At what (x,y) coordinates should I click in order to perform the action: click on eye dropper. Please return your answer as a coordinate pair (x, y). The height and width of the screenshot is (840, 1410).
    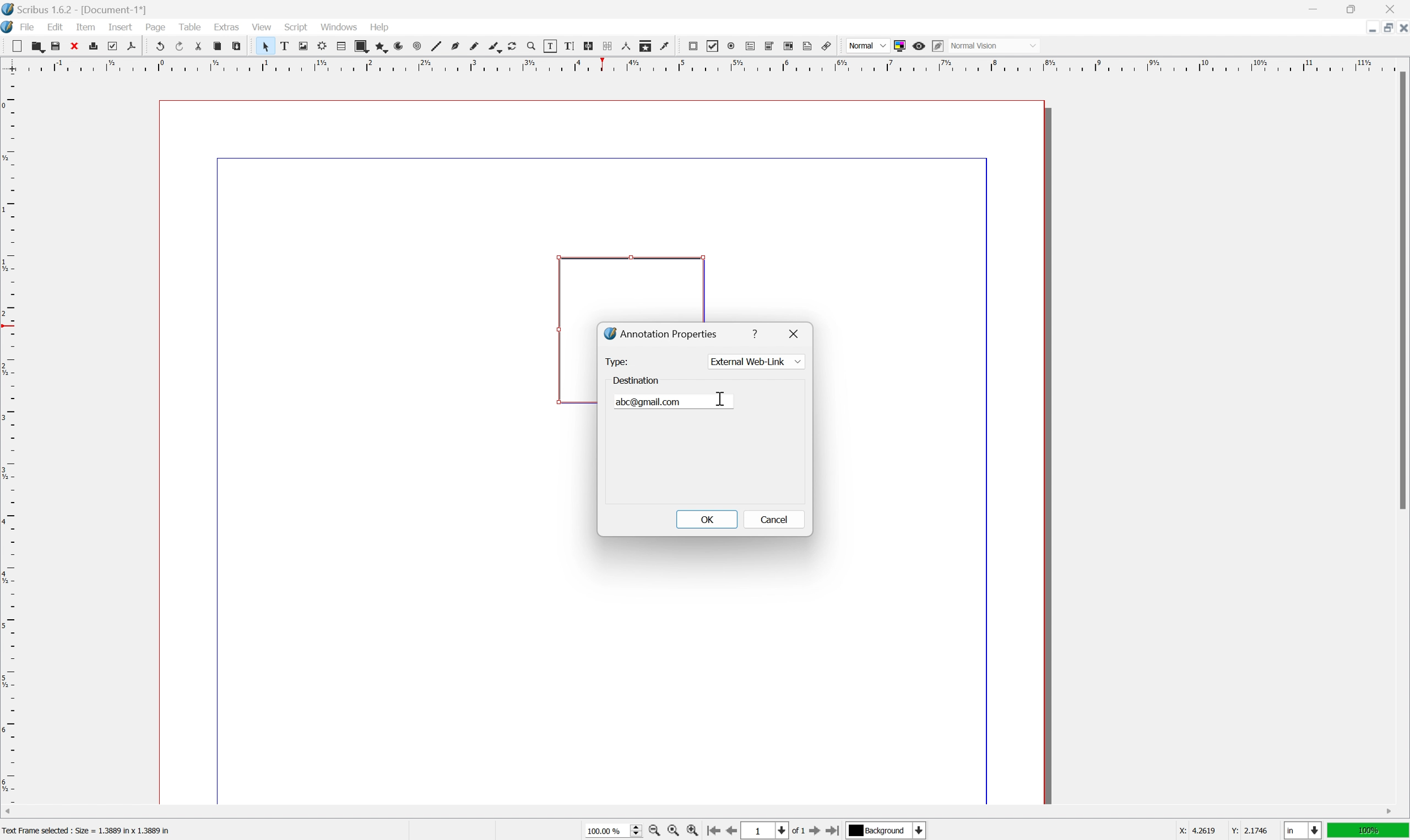
    Looking at the image, I should click on (665, 46).